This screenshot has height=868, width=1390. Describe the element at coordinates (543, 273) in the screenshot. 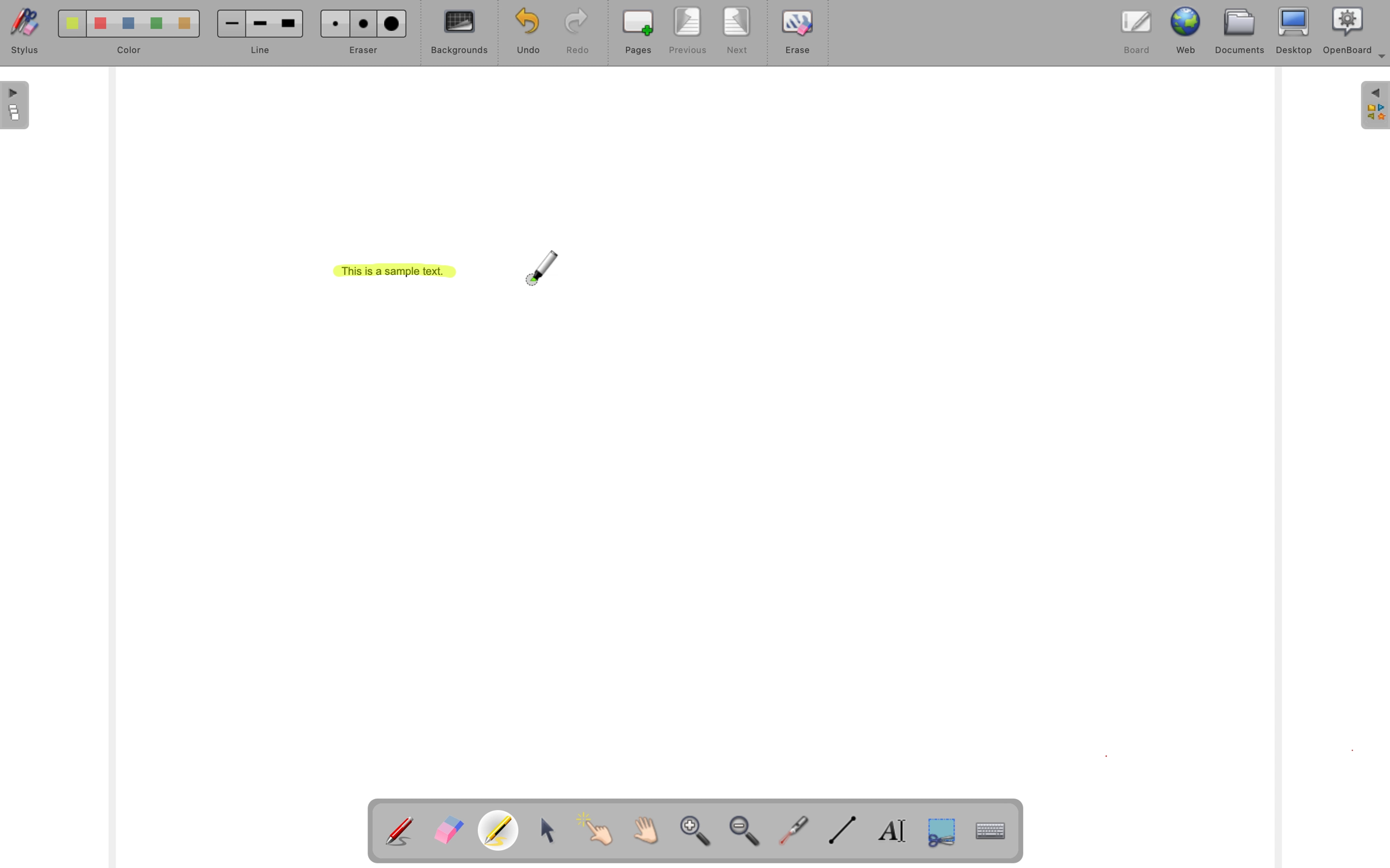

I see `highlighter cursor` at that location.